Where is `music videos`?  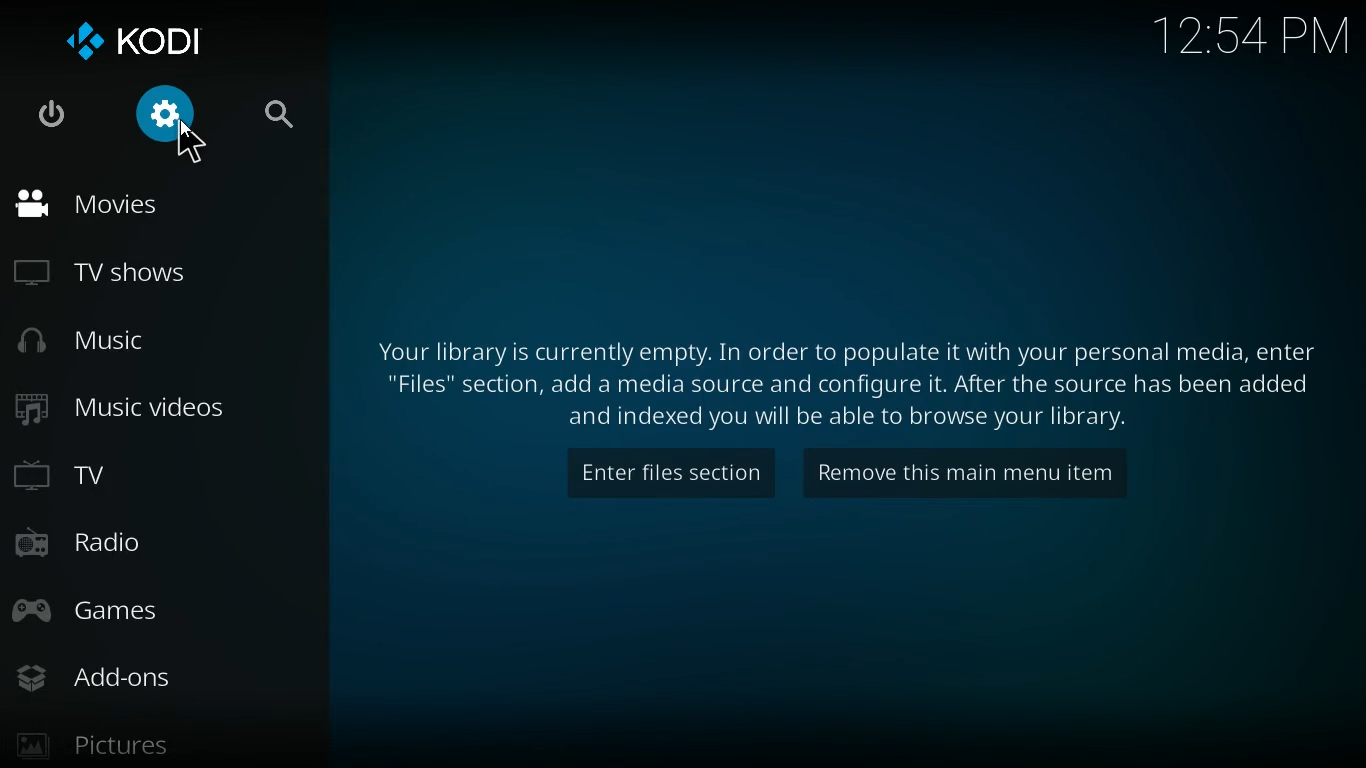 music videos is located at coordinates (143, 404).